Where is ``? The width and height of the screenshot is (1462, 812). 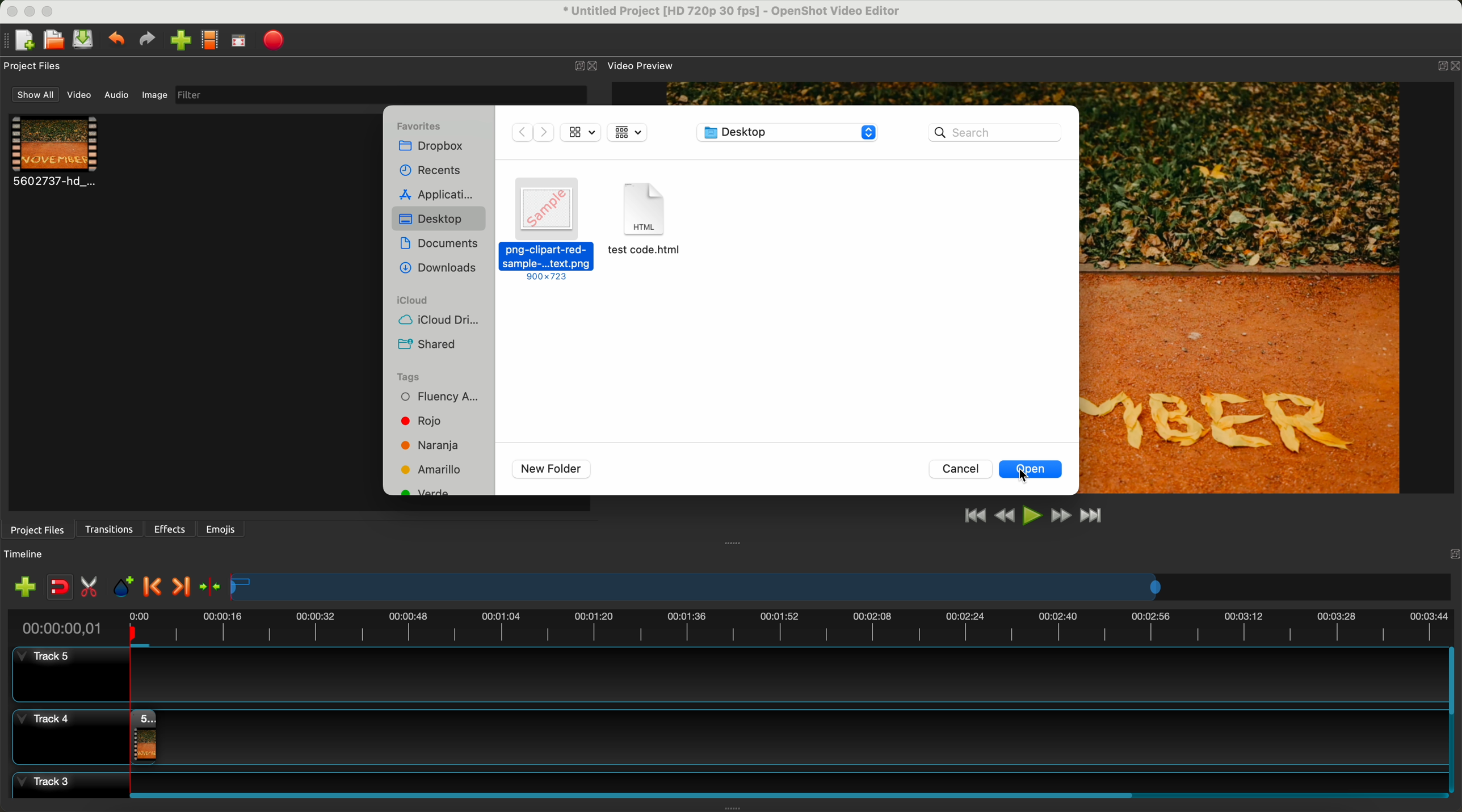
 is located at coordinates (1451, 553).